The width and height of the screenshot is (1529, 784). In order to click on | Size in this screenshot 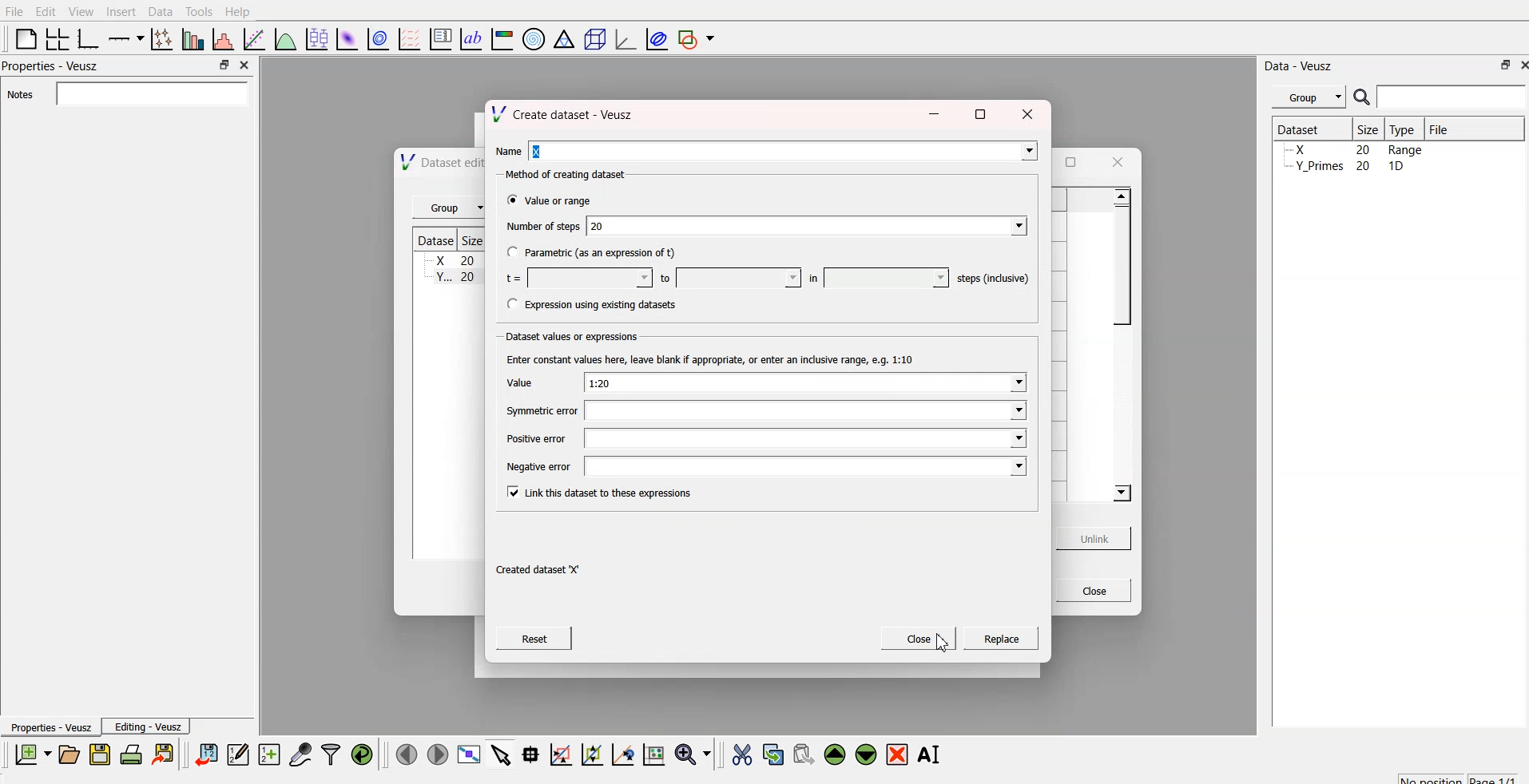, I will do `click(1369, 129)`.